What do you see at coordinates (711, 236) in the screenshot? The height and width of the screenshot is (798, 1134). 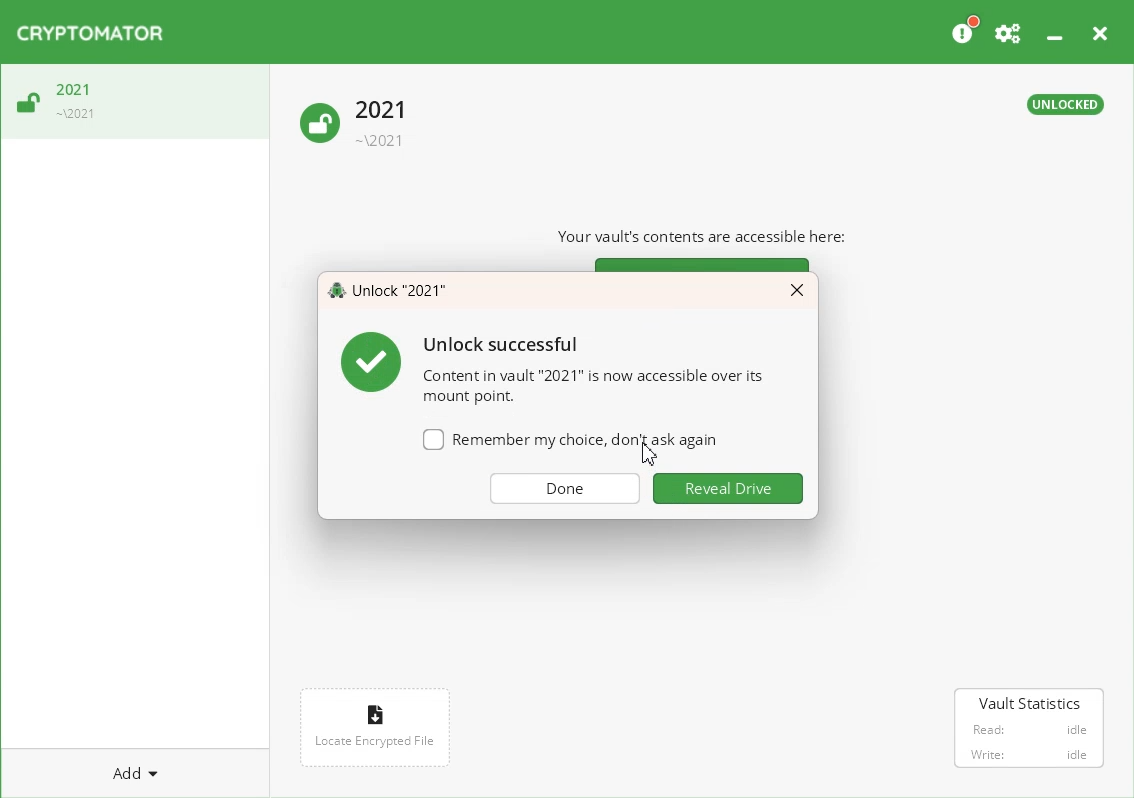 I see `Your vault's contents are accessible here:` at bounding box center [711, 236].